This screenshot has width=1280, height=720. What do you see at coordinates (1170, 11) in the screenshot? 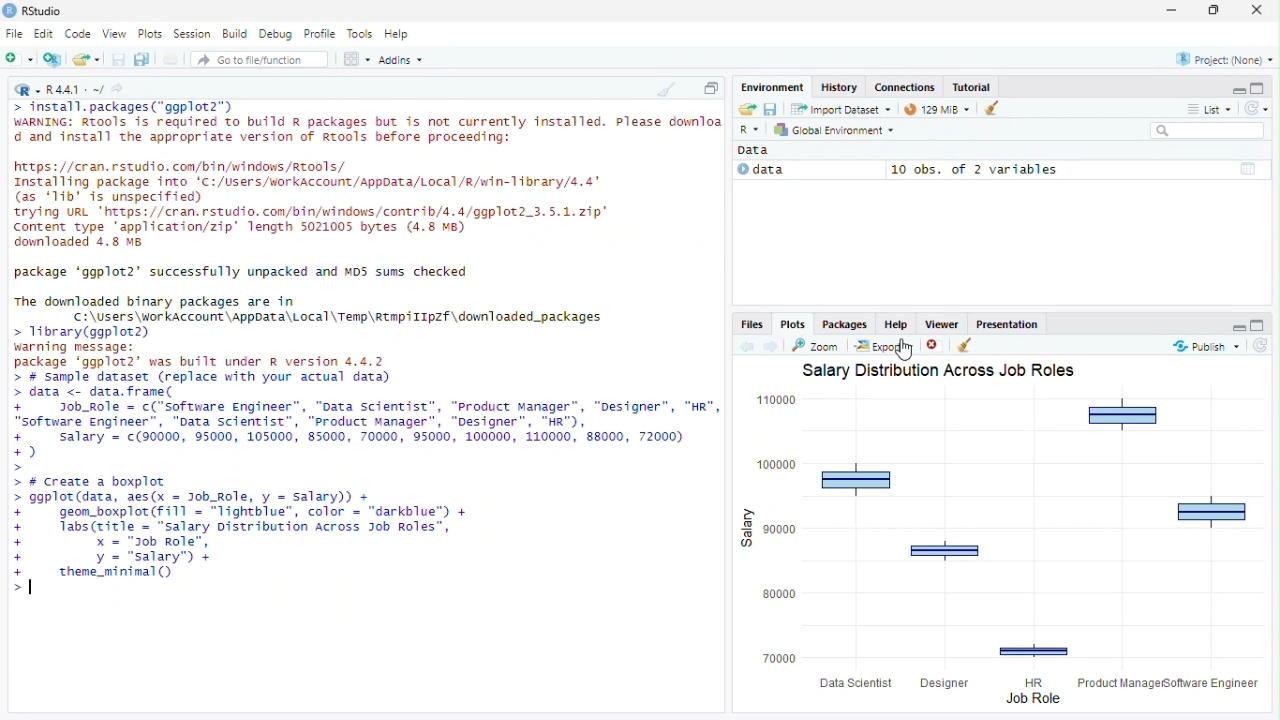
I see `Minimize` at bounding box center [1170, 11].